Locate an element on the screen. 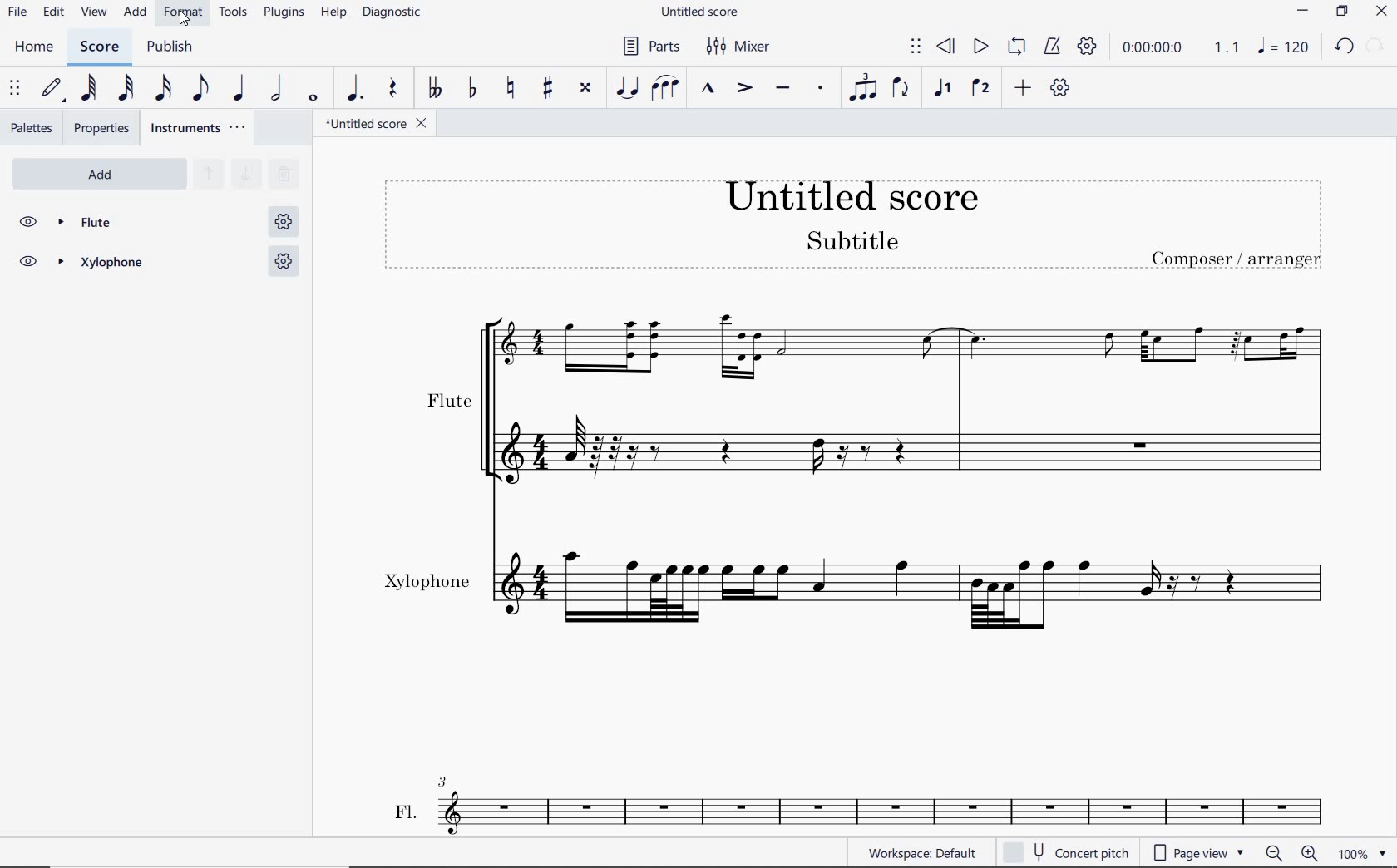 The width and height of the screenshot is (1397, 868). TENUTO is located at coordinates (786, 89).